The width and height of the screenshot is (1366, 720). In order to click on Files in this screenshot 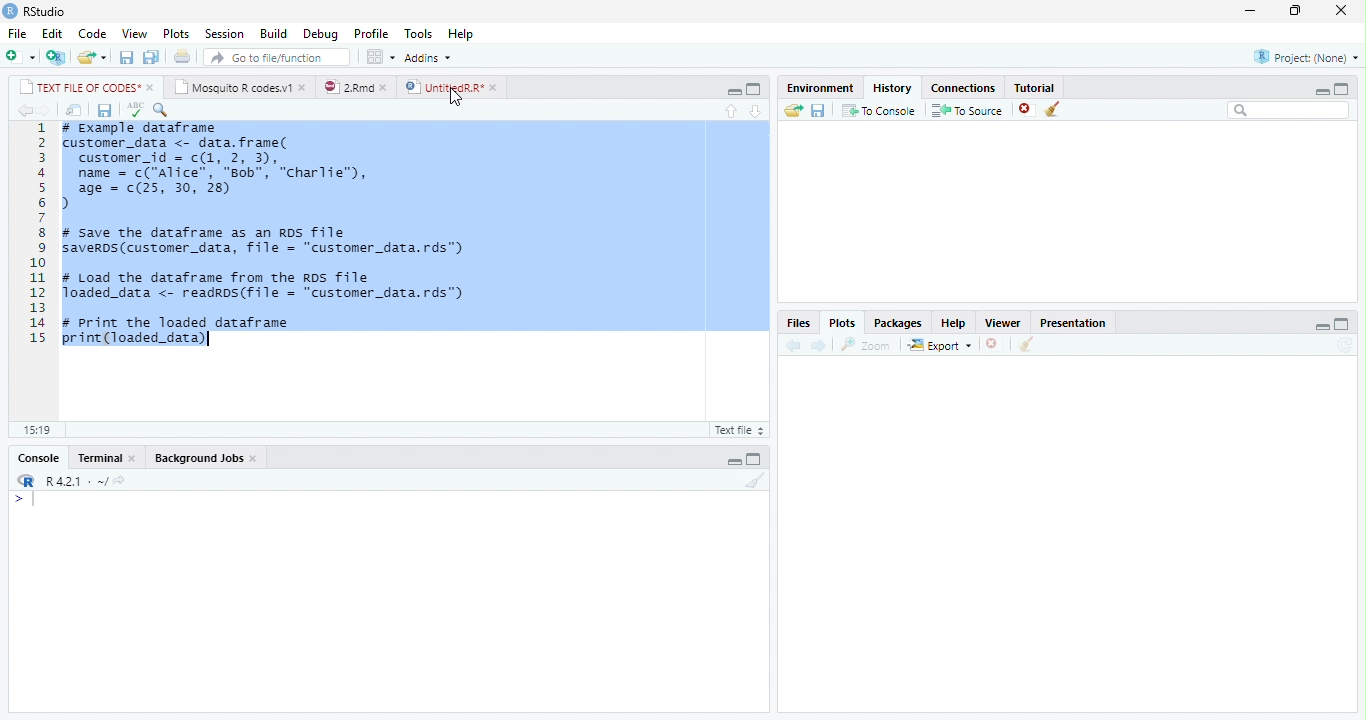, I will do `click(798, 323)`.